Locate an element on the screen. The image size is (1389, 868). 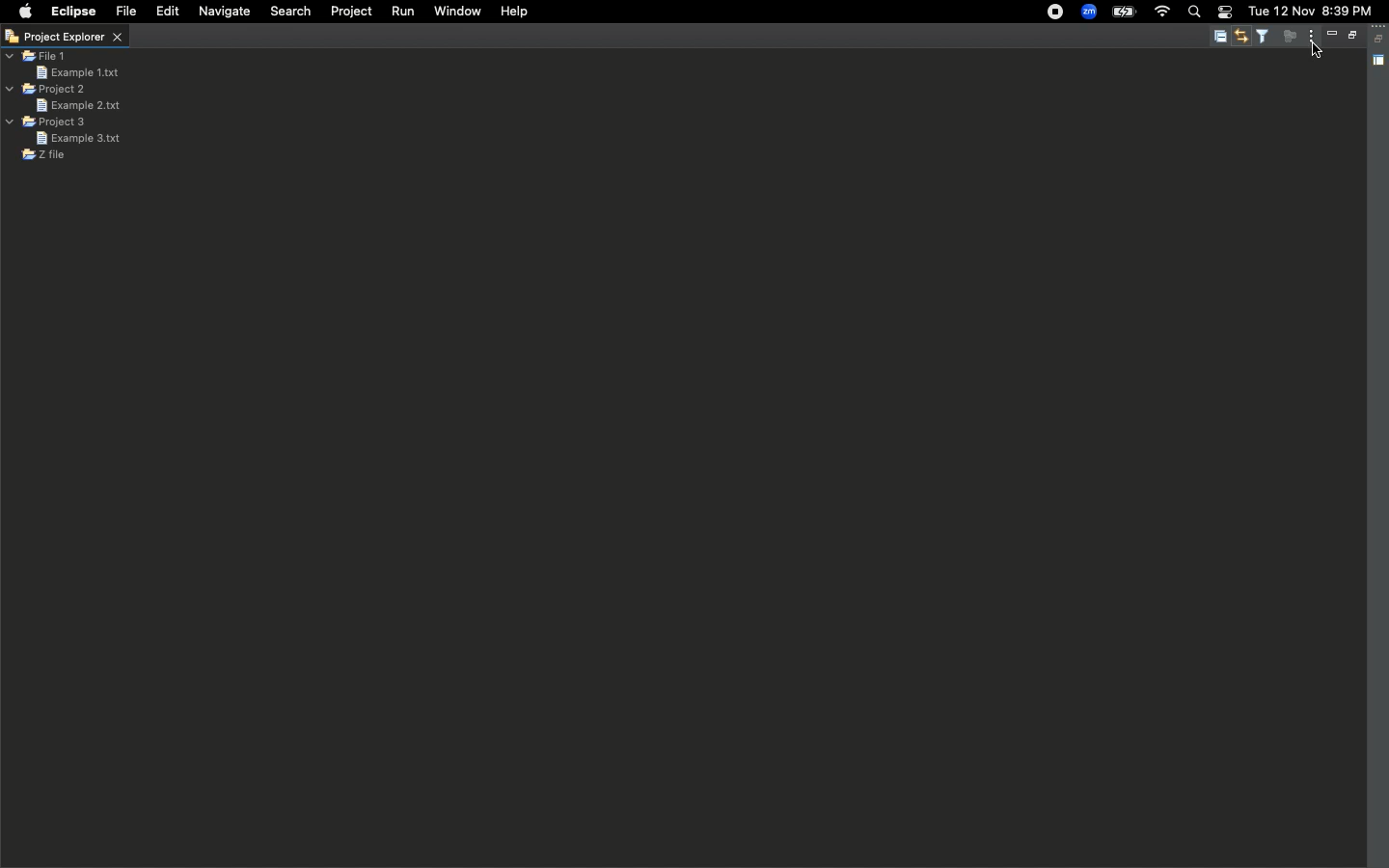
Notification is located at coordinates (1225, 13).